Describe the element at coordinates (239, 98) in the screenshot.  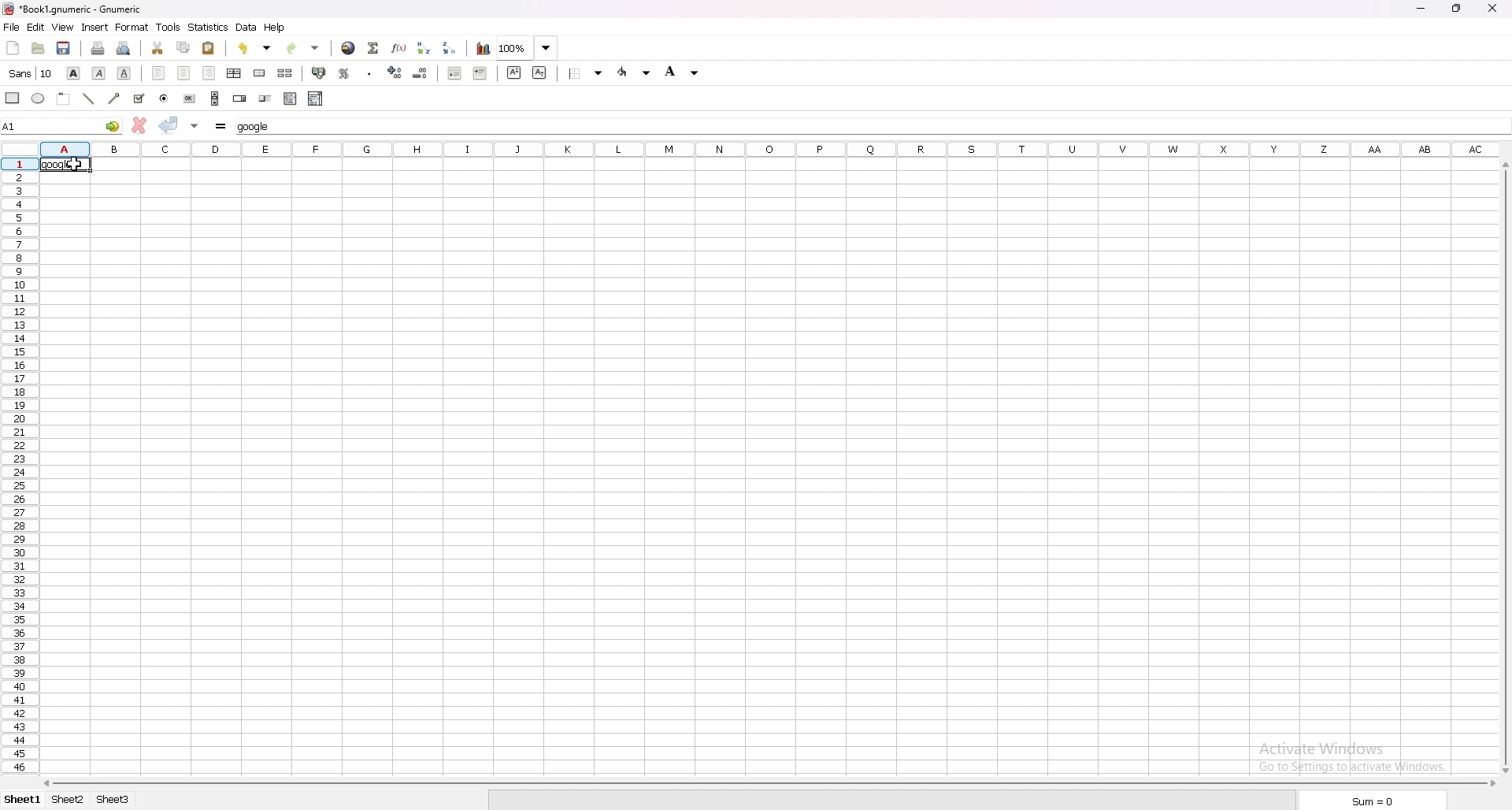
I see `spin button` at that location.